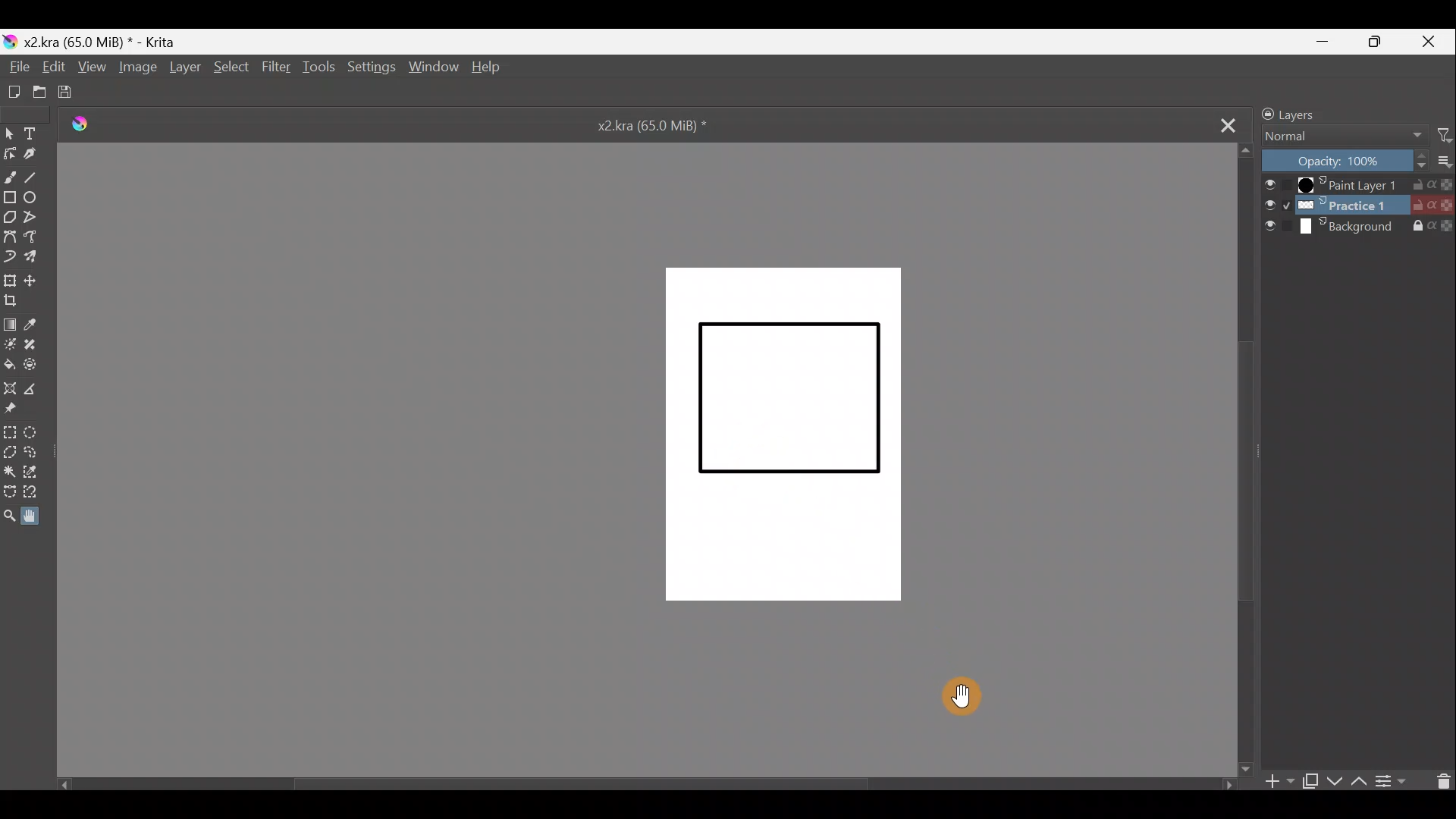 This screenshot has height=819, width=1456. Describe the element at coordinates (9, 153) in the screenshot. I see `Edit shapes tool` at that location.